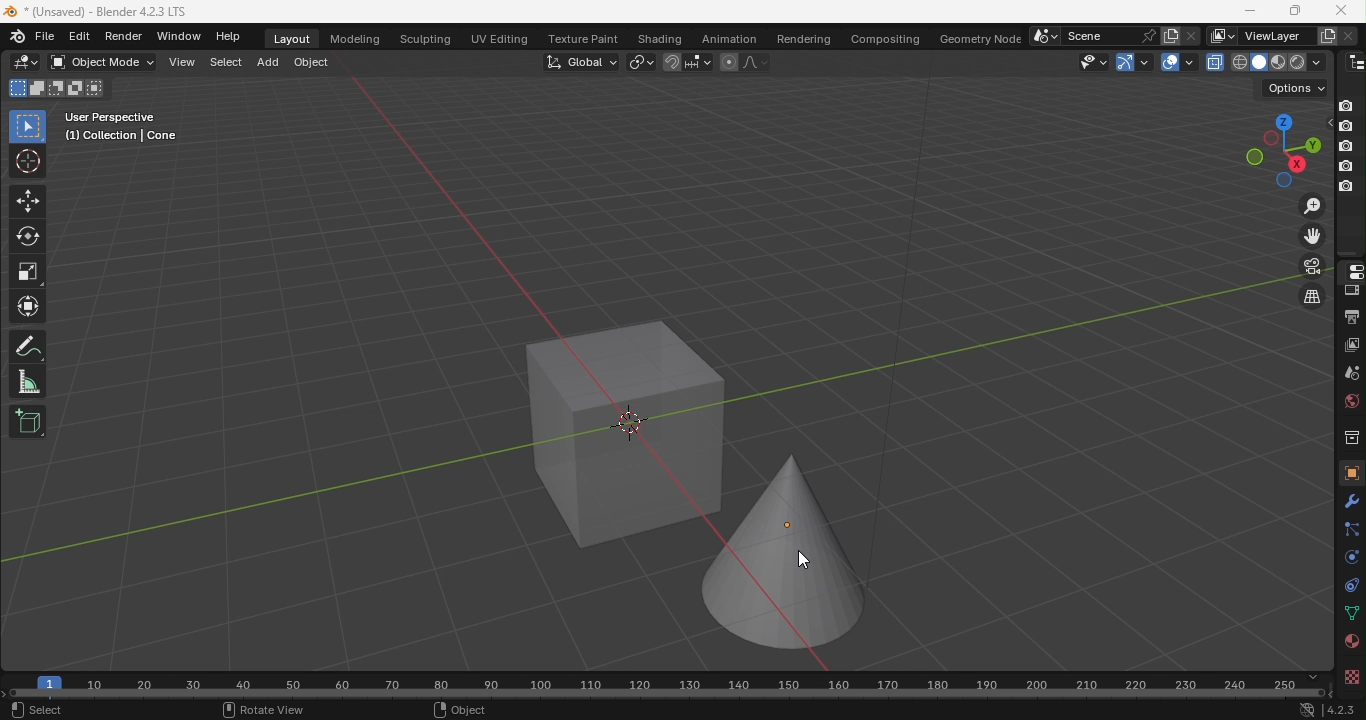  What do you see at coordinates (1169, 35) in the screenshot?
I see `New scene` at bounding box center [1169, 35].